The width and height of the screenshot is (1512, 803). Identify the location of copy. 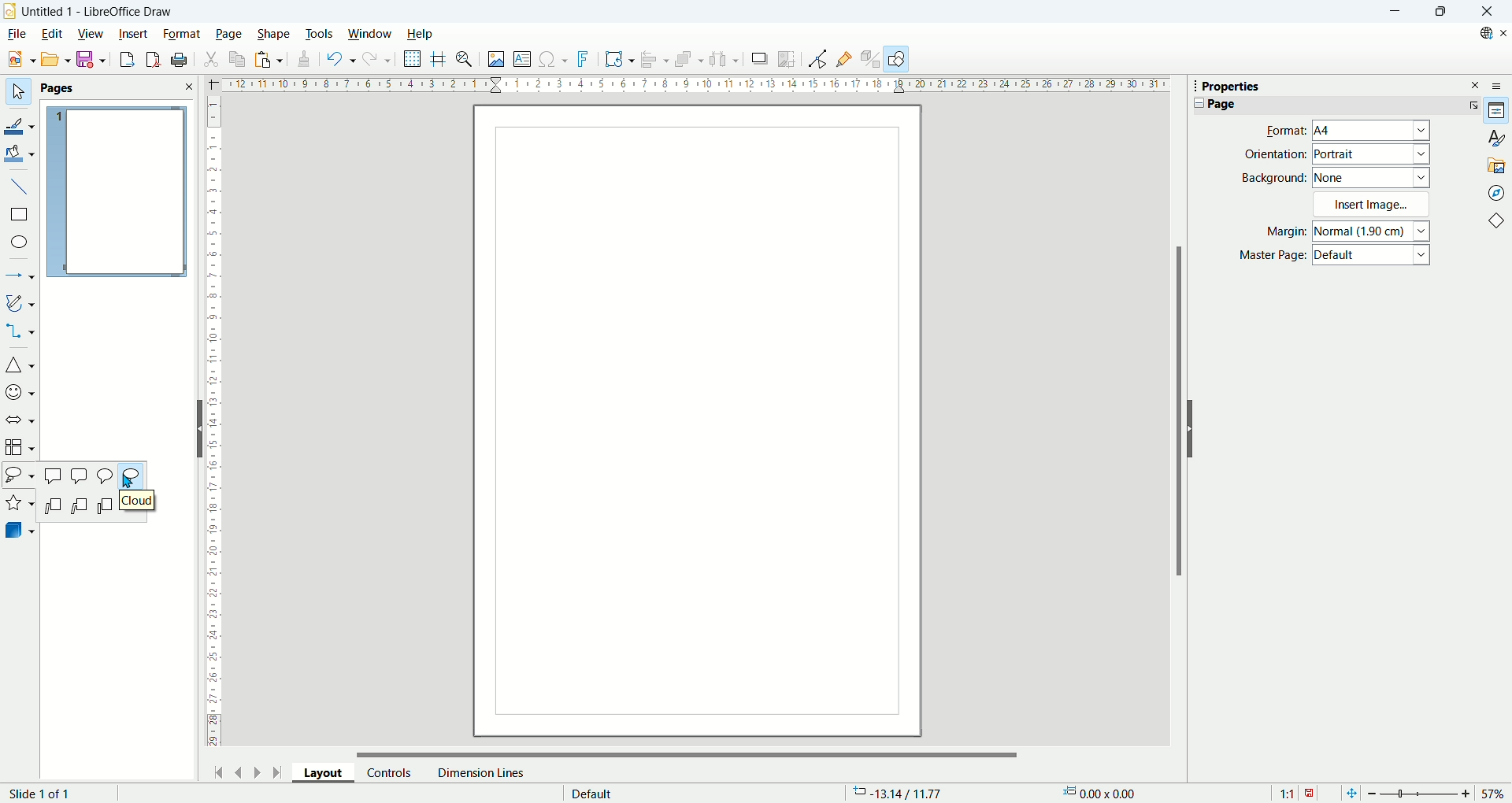
(238, 59).